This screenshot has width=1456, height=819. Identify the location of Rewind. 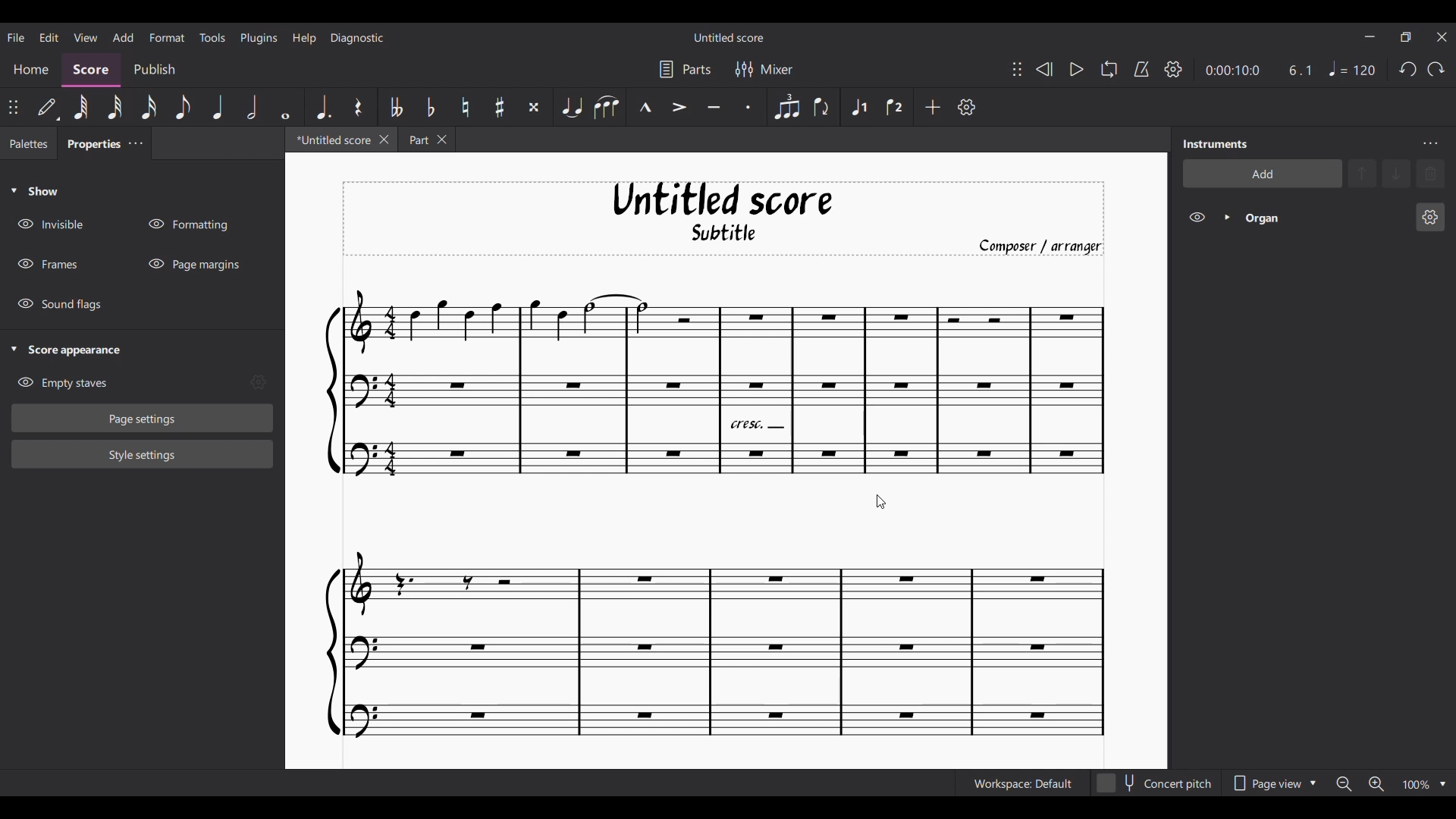
(1044, 69).